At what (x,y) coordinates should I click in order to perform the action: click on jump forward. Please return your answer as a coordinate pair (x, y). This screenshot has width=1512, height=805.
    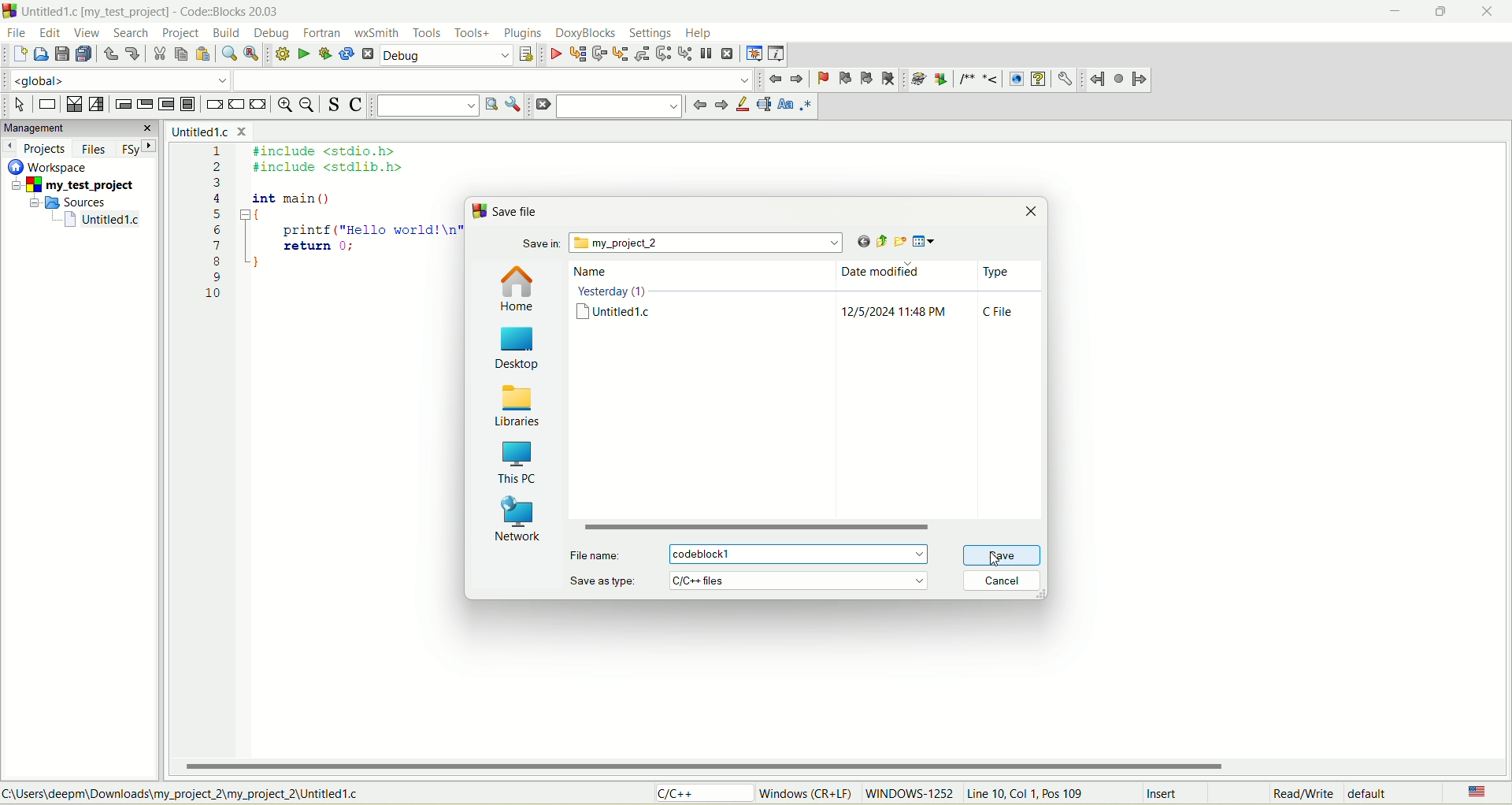
    Looking at the image, I should click on (799, 79).